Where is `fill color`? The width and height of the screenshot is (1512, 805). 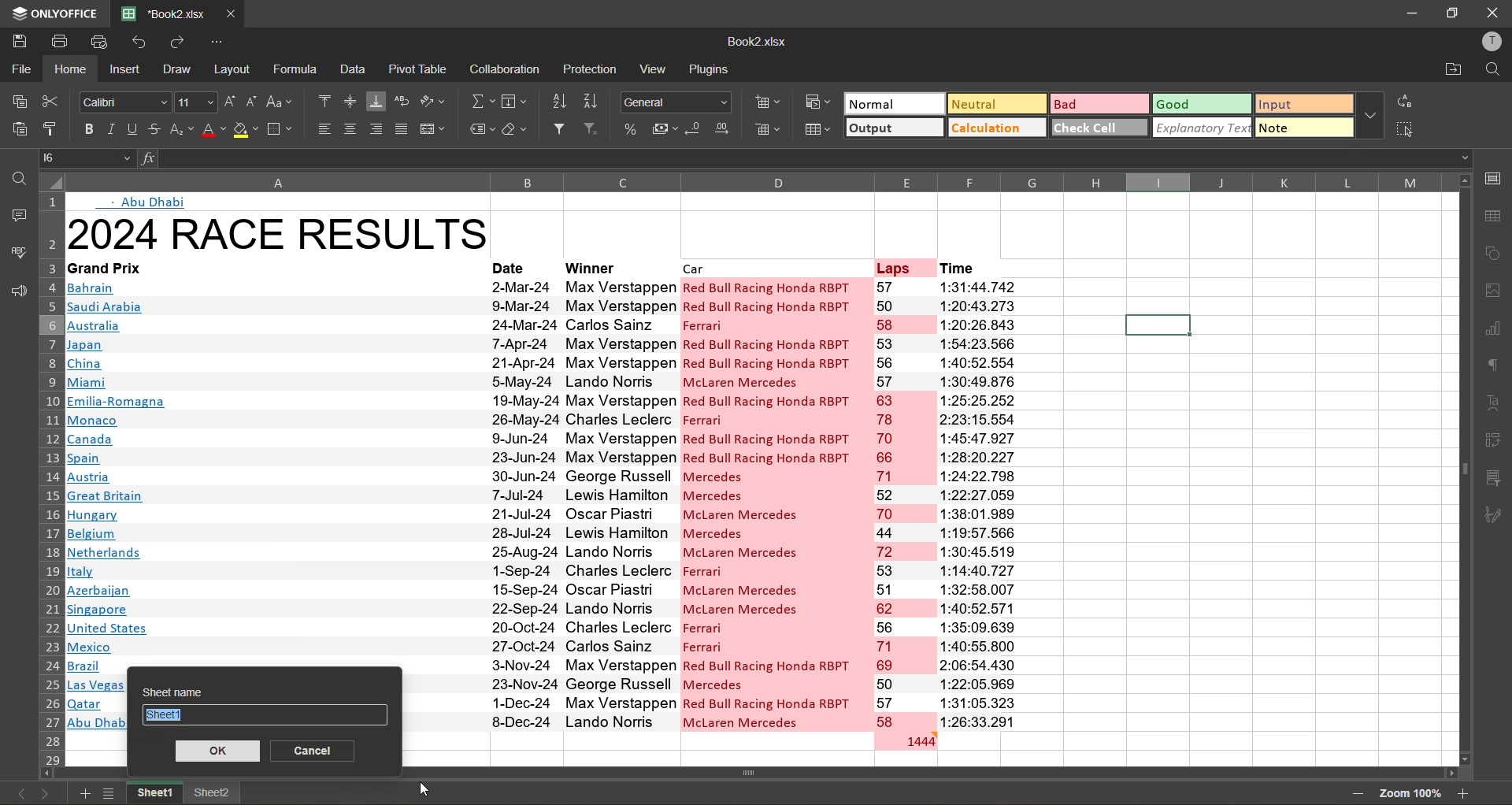
fill color is located at coordinates (245, 131).